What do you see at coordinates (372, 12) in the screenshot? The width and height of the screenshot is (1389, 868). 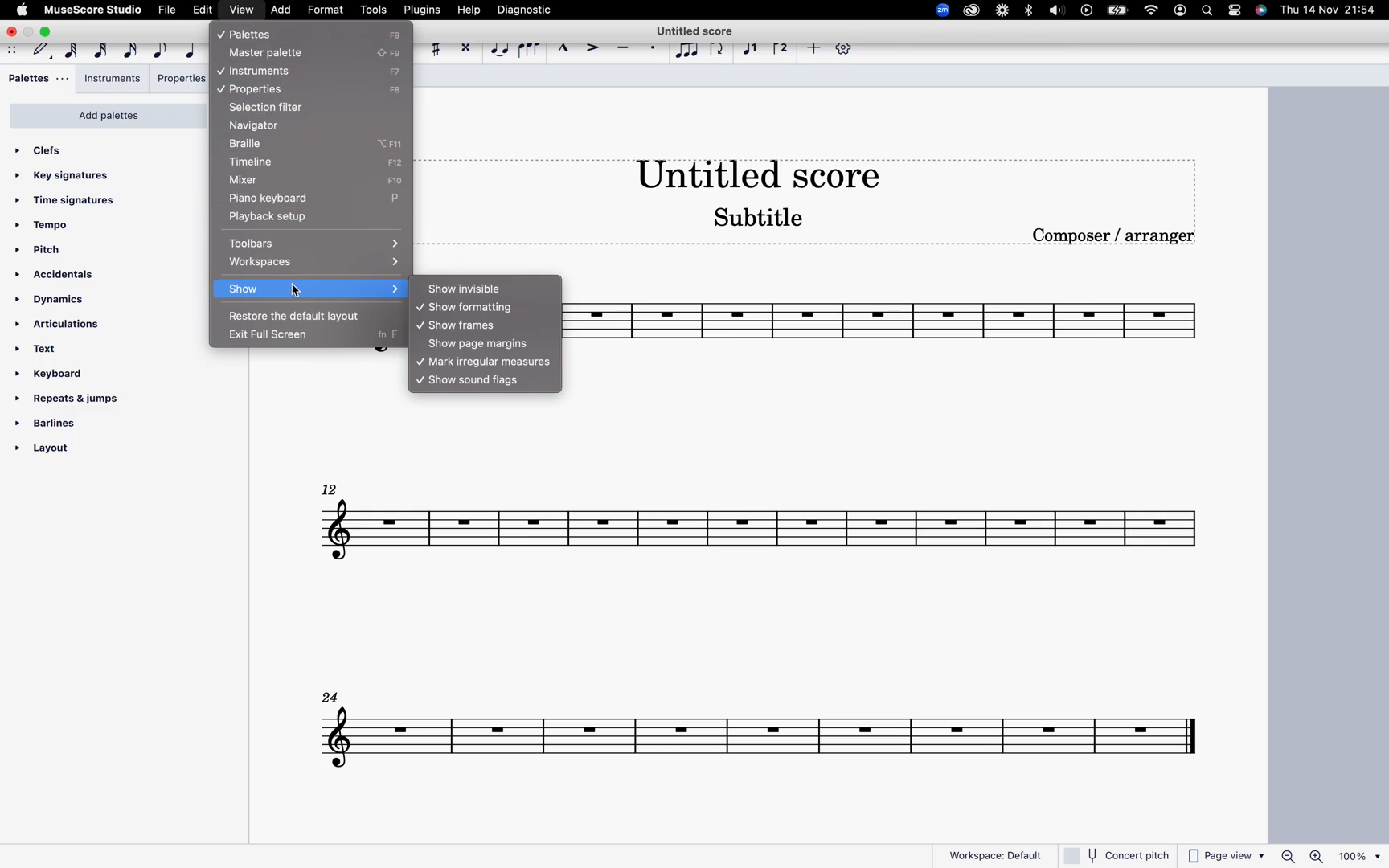 I see `tools` at bounding box center [372, 12].